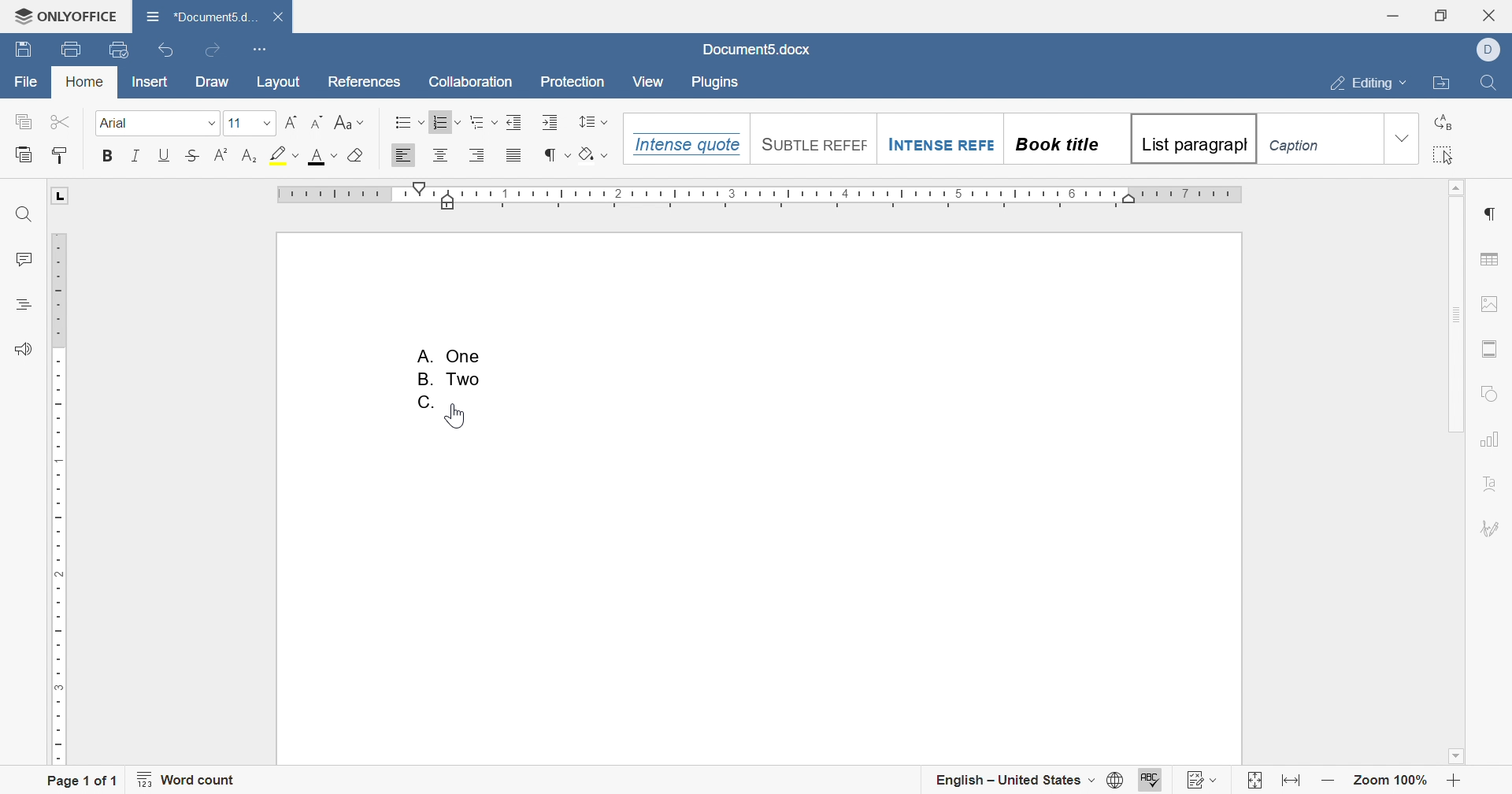 This screenshot has width=1512, height=794. Describe the element at coordinates (404, 155) in the screenshot. I see `Align Left` at that location.